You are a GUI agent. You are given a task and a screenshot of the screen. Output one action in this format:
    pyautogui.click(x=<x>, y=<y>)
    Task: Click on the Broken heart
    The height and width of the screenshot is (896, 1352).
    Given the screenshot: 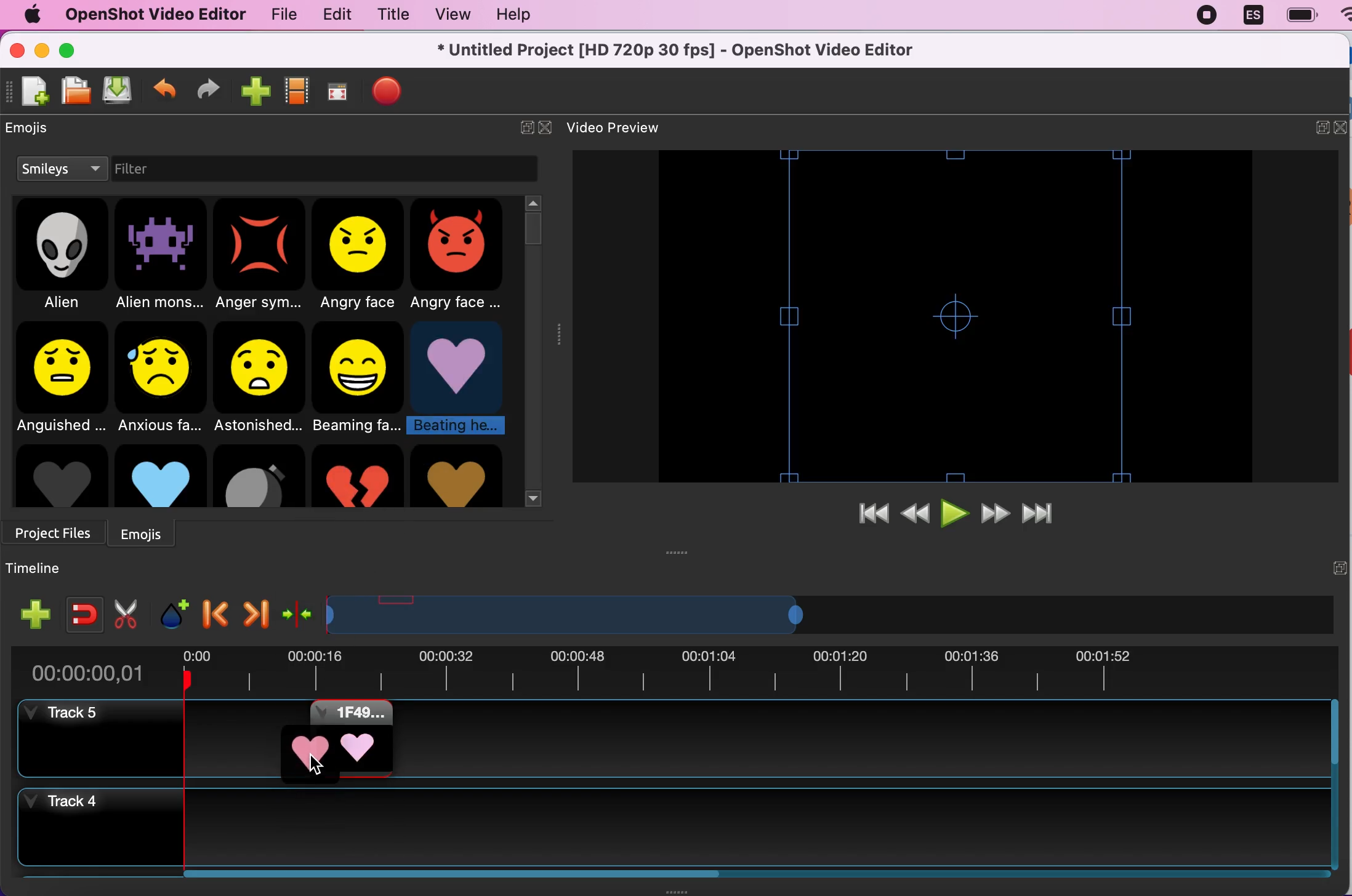 What is the action you would take?
    pyautogui.click(x=357, y=476)
    